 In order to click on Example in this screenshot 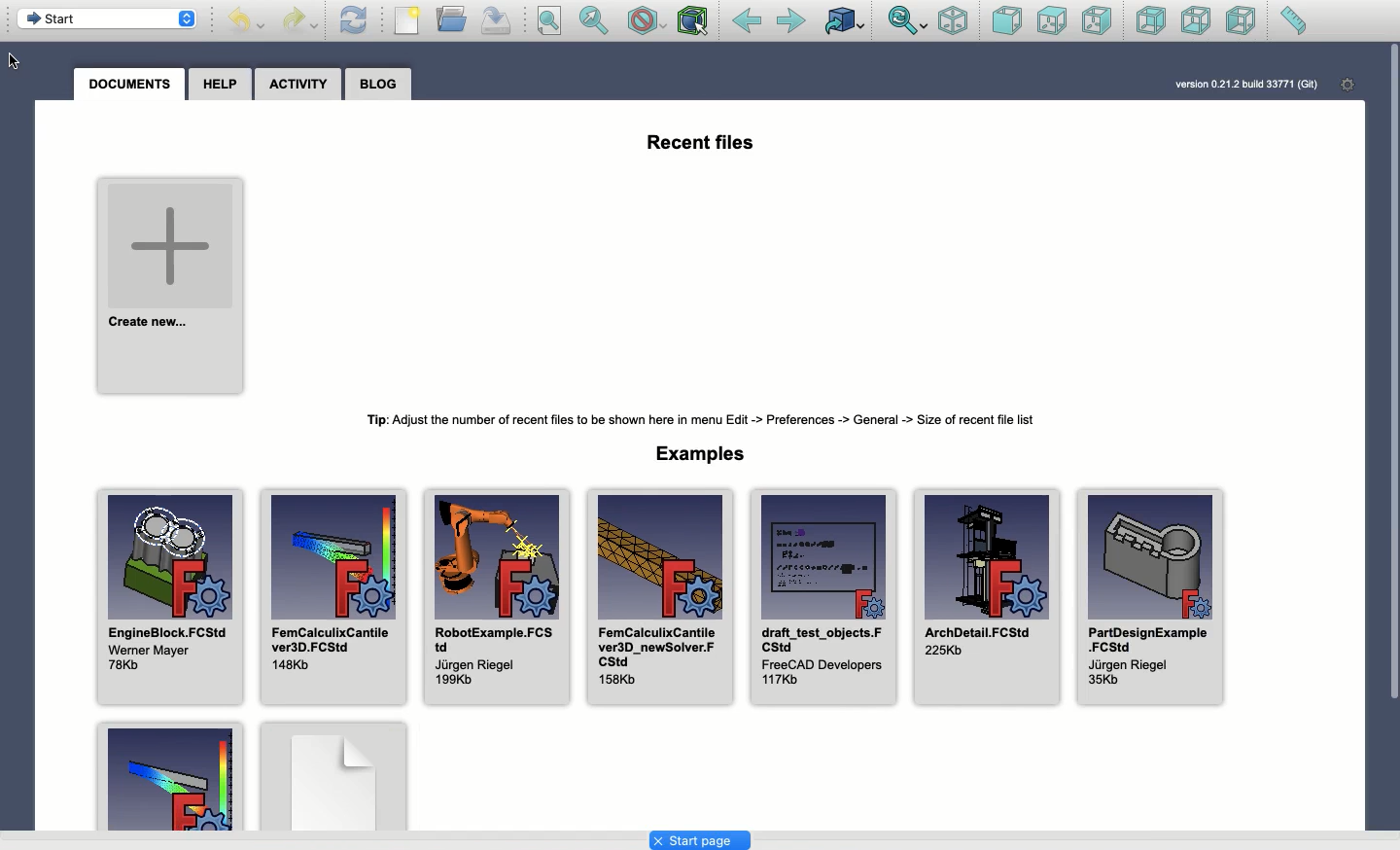, I will do `click(333, 778)`.